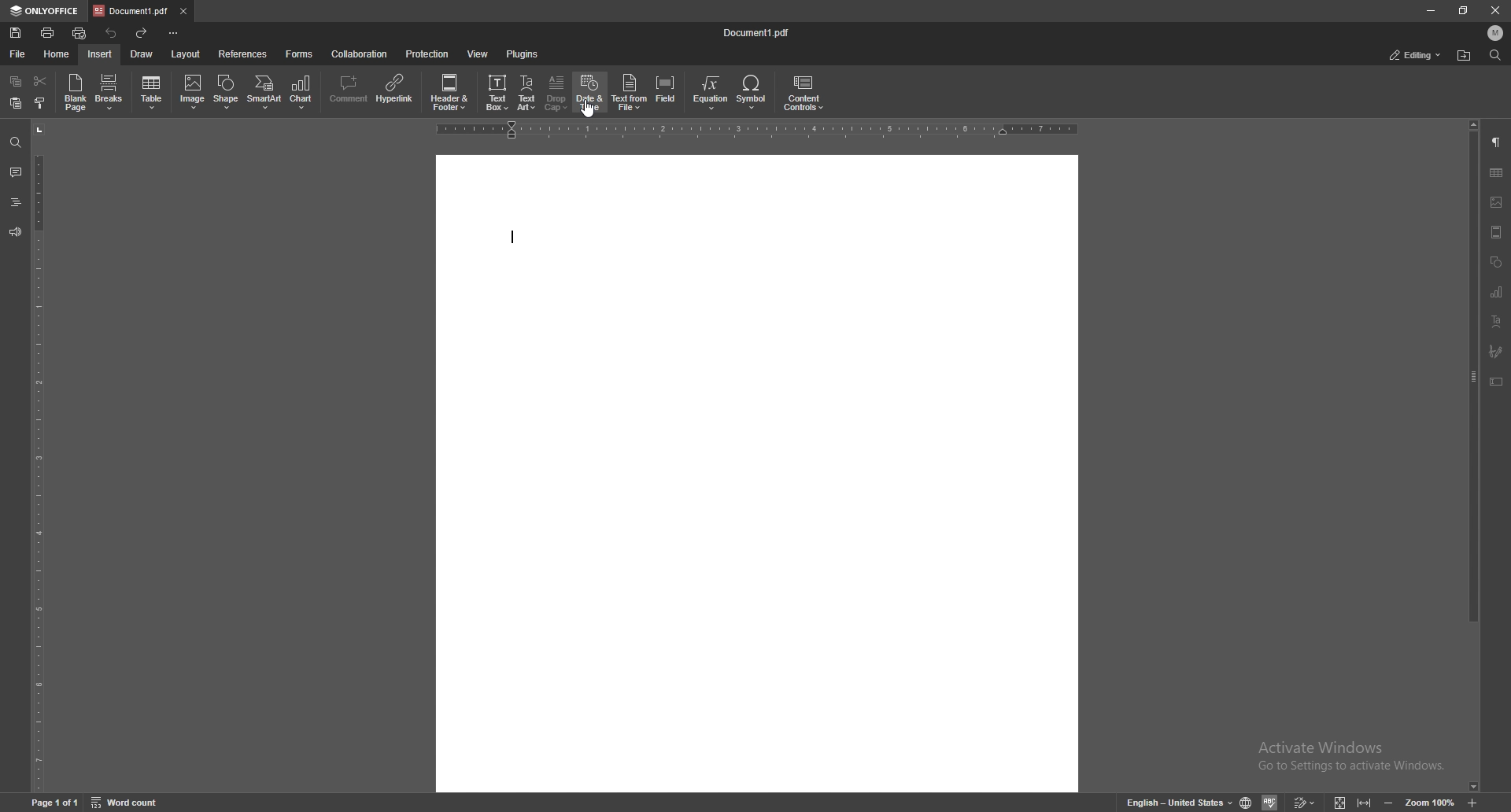  I want to click on equation, so click(711, 91).